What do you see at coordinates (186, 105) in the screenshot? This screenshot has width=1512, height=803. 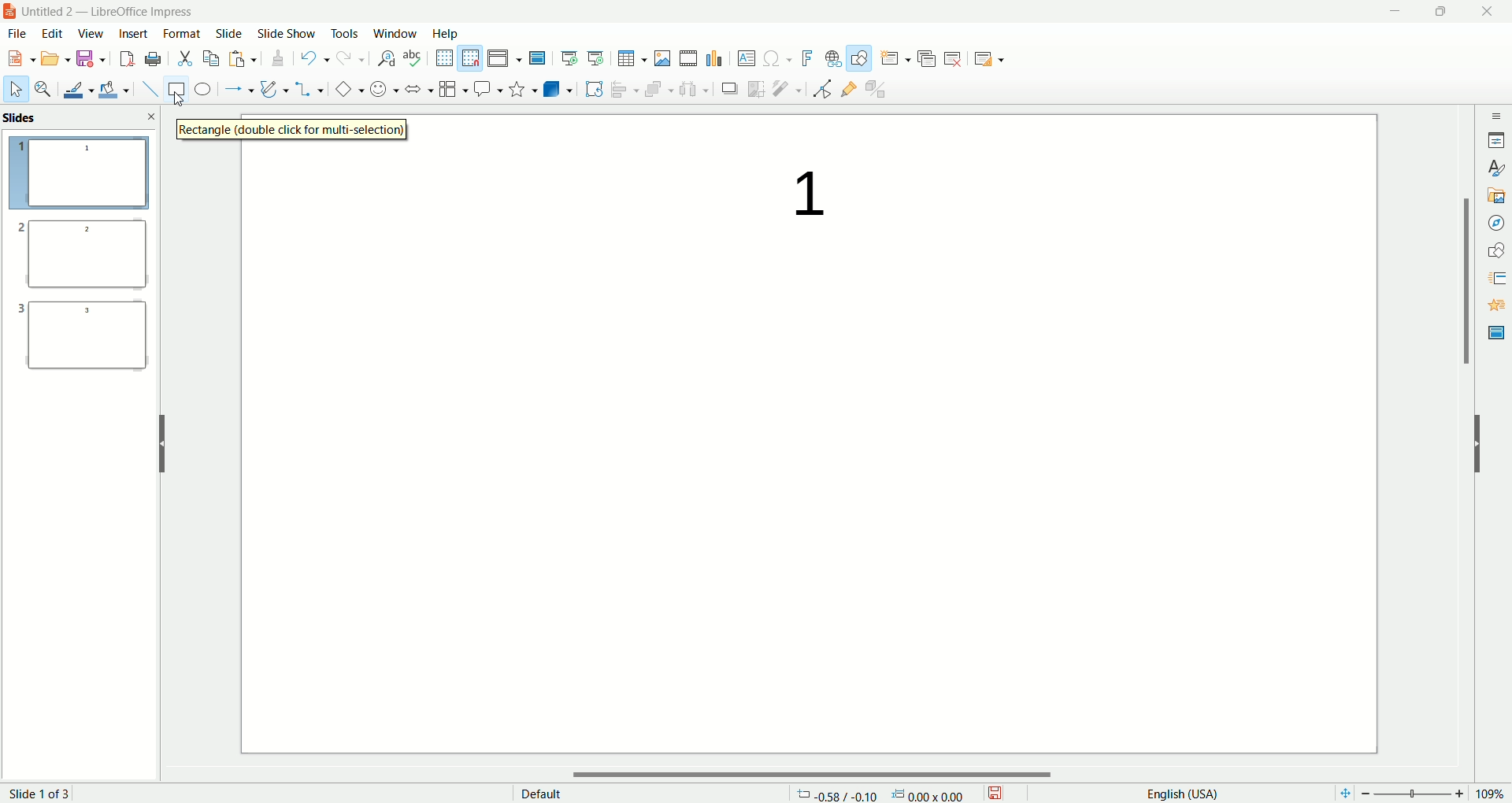 I see `cursor` at bounding box center [186, 105].